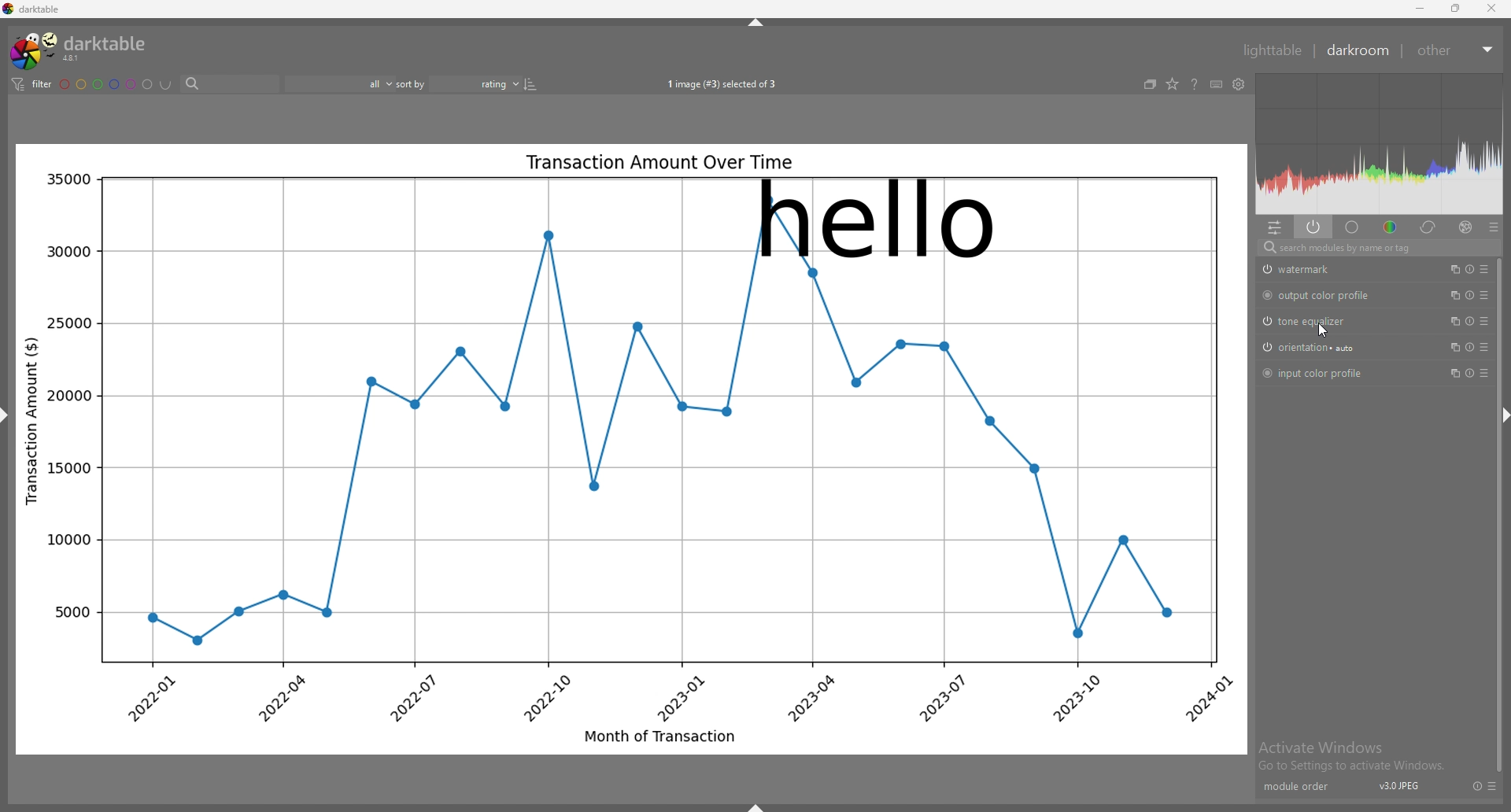 The image size is (1511, 812). Describe the element at coordinates (758, 806) in the screenshot. I see `show sidebar` at that location.